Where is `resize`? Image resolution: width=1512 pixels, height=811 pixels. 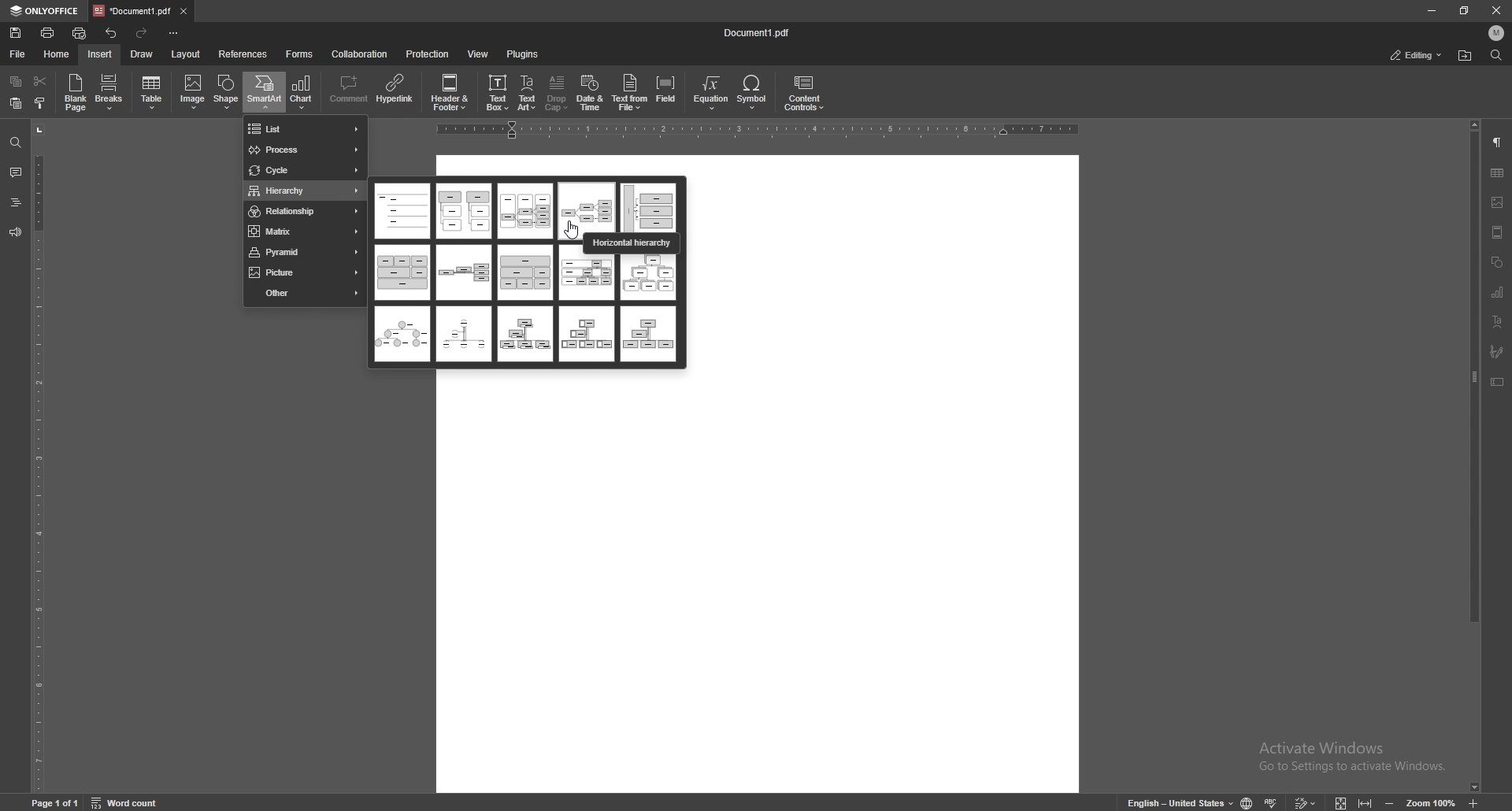
resize is located at coordinates (1464, 10).